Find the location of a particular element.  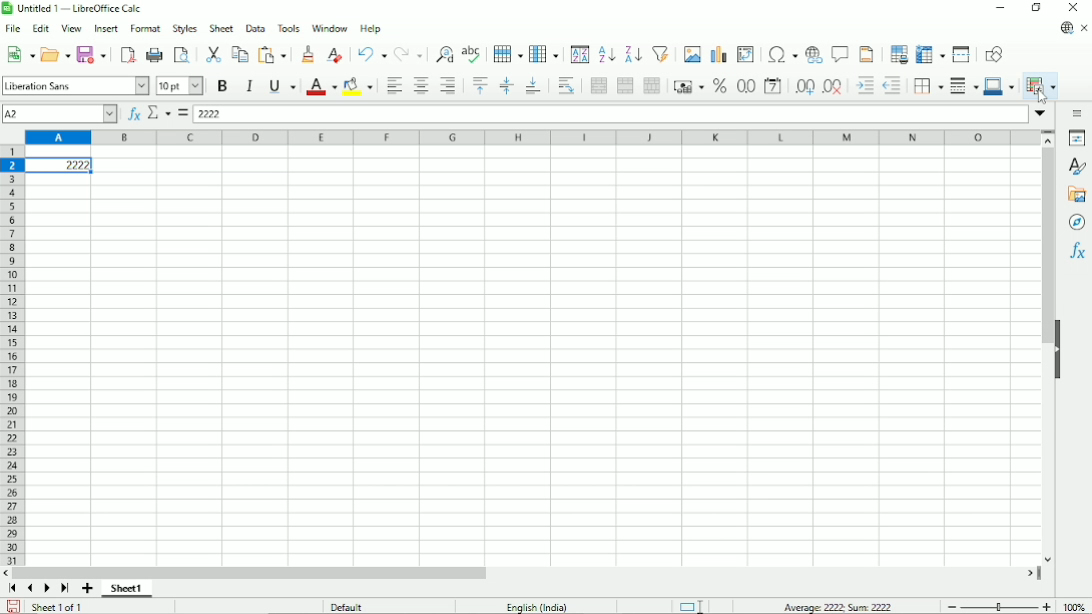

Horizontal scrollbar is located at coordinates (249, 573).